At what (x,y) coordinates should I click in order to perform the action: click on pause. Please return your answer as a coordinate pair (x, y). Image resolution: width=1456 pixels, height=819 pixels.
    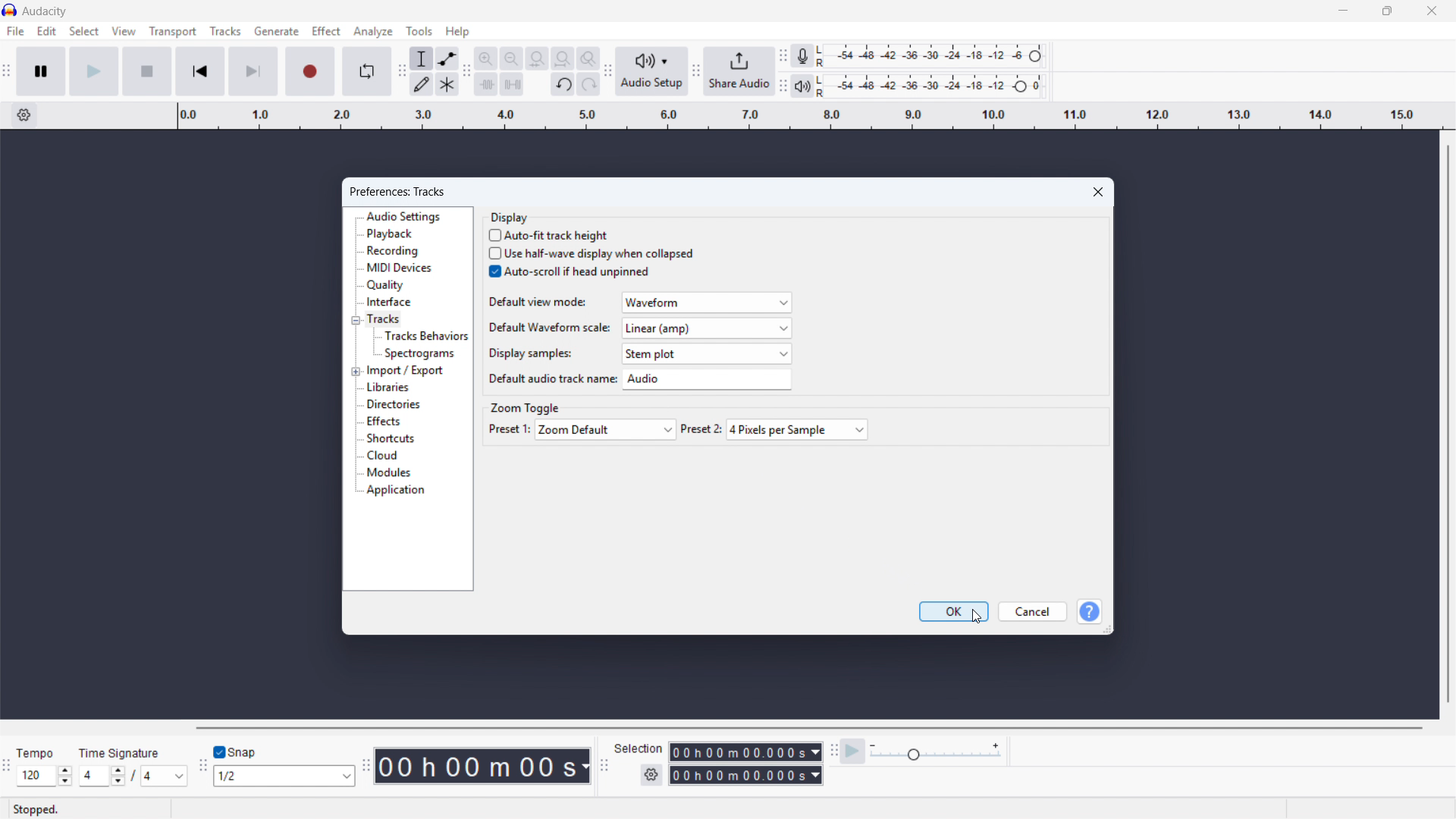
    Looking at the image, I should click on (42, 71).